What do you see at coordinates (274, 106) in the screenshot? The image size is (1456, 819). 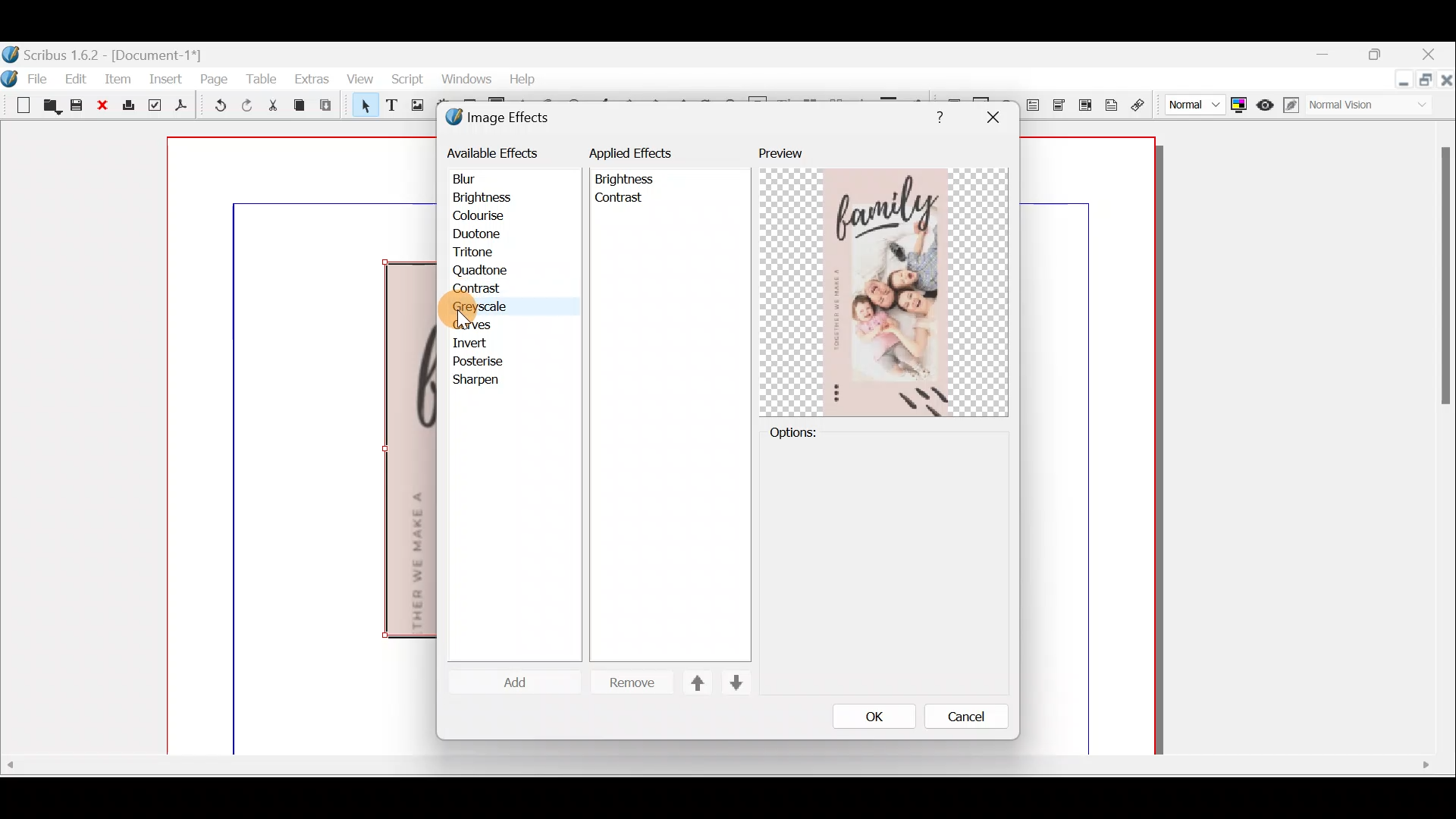 I see `Cut` at bounding box center [274, 106].